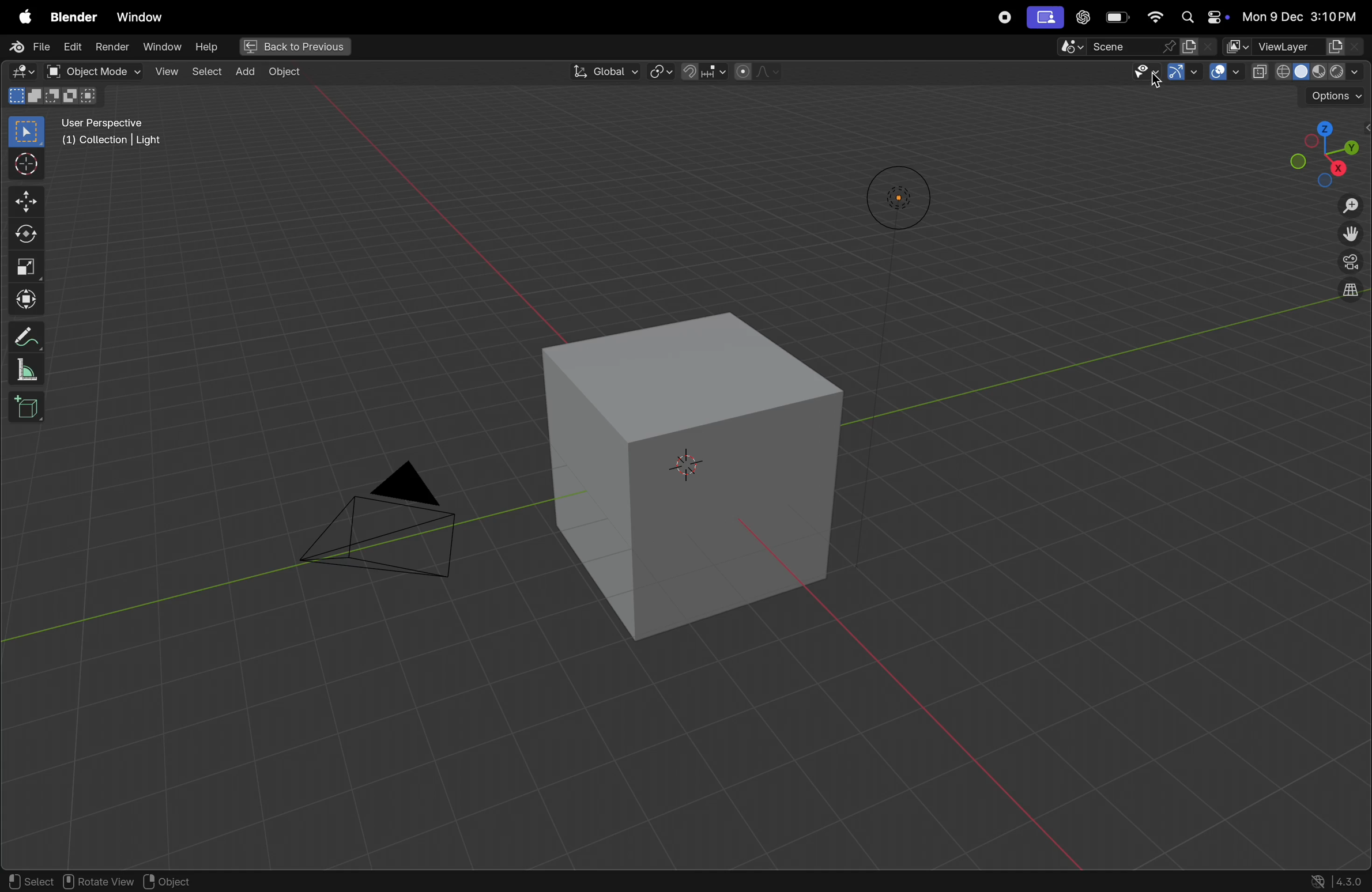 The image size is (1372, 892). Describe the element at coordinates (1153, 17) in the screenshot. I see `wifi` at that location.